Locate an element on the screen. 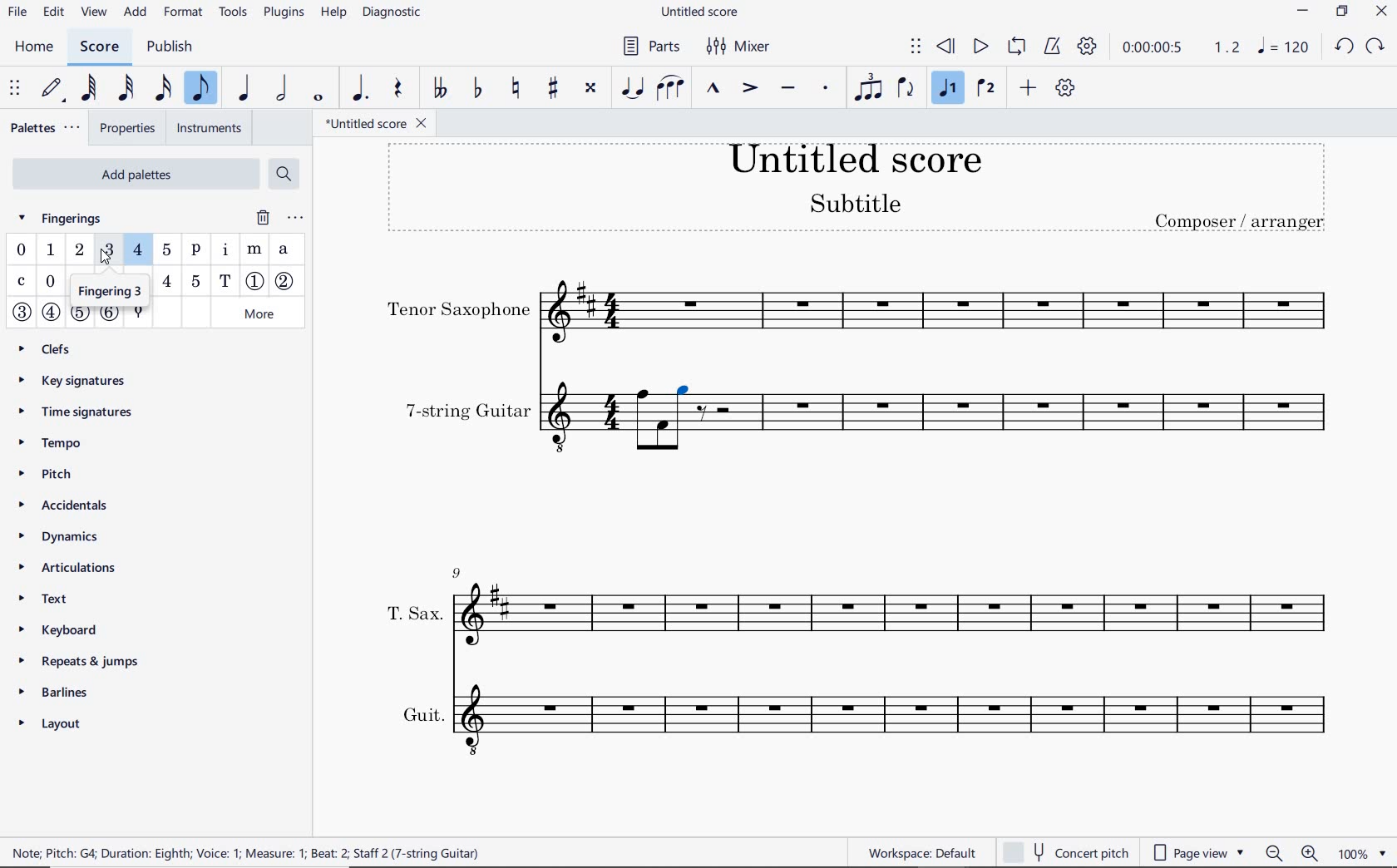 This screenshot has width=1397, height=868. 16TH NOTE is located at coordinates (163, 88).